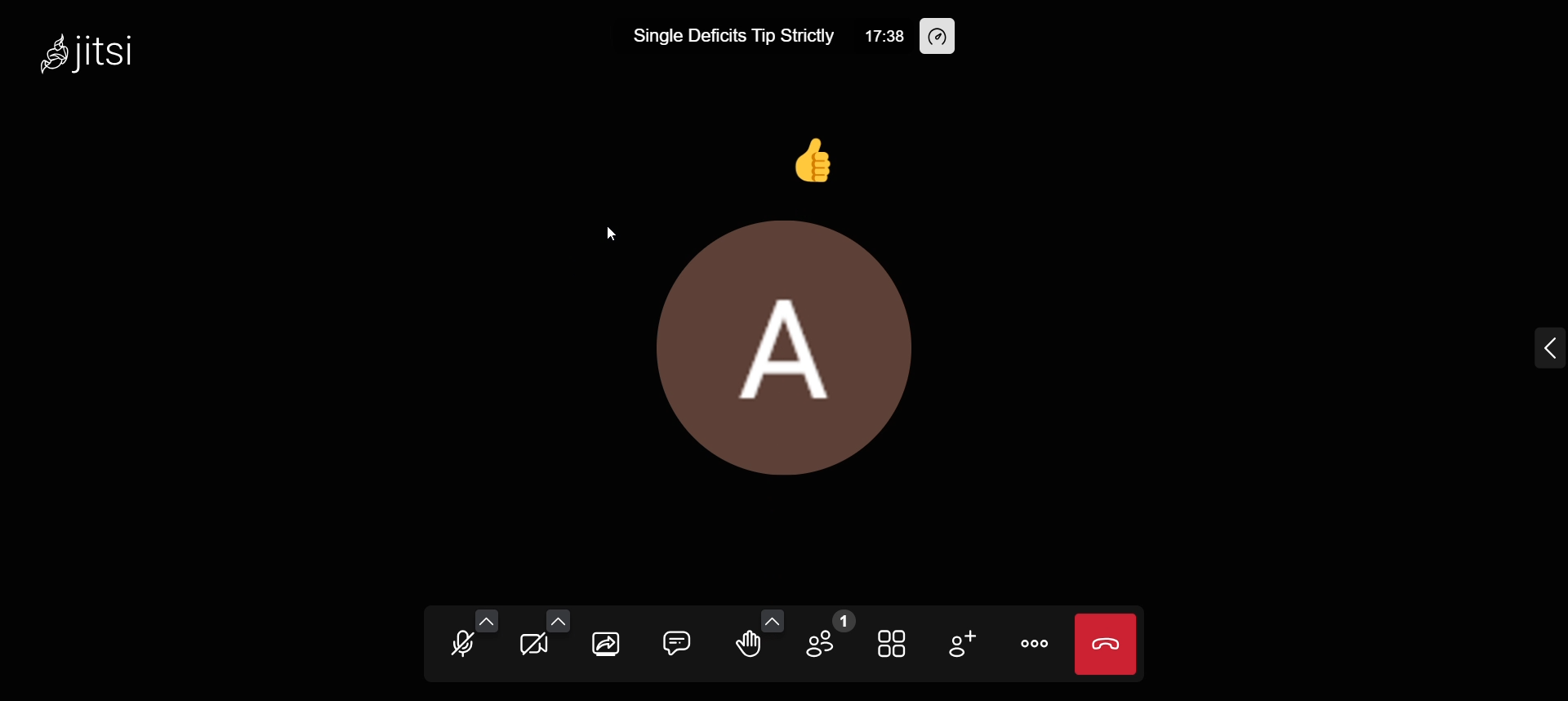 The height and width of the screenshot is (701, 1568). What do you see at coordinates (119, 53) in the screenshot?
I see `jitsi` at bounding box center [119, 53].